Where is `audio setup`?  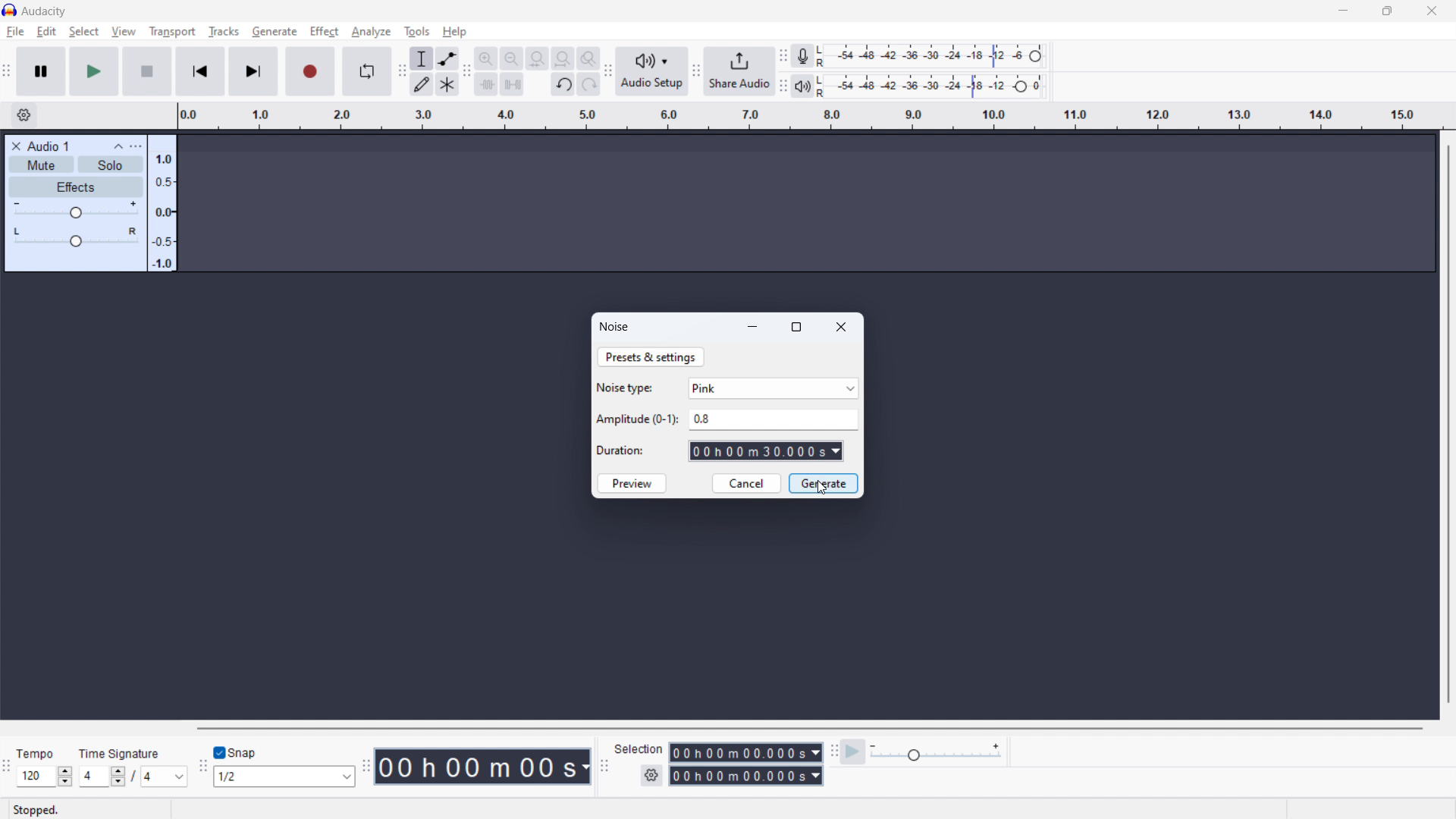 audio setup is located at coordinates (652, 72).